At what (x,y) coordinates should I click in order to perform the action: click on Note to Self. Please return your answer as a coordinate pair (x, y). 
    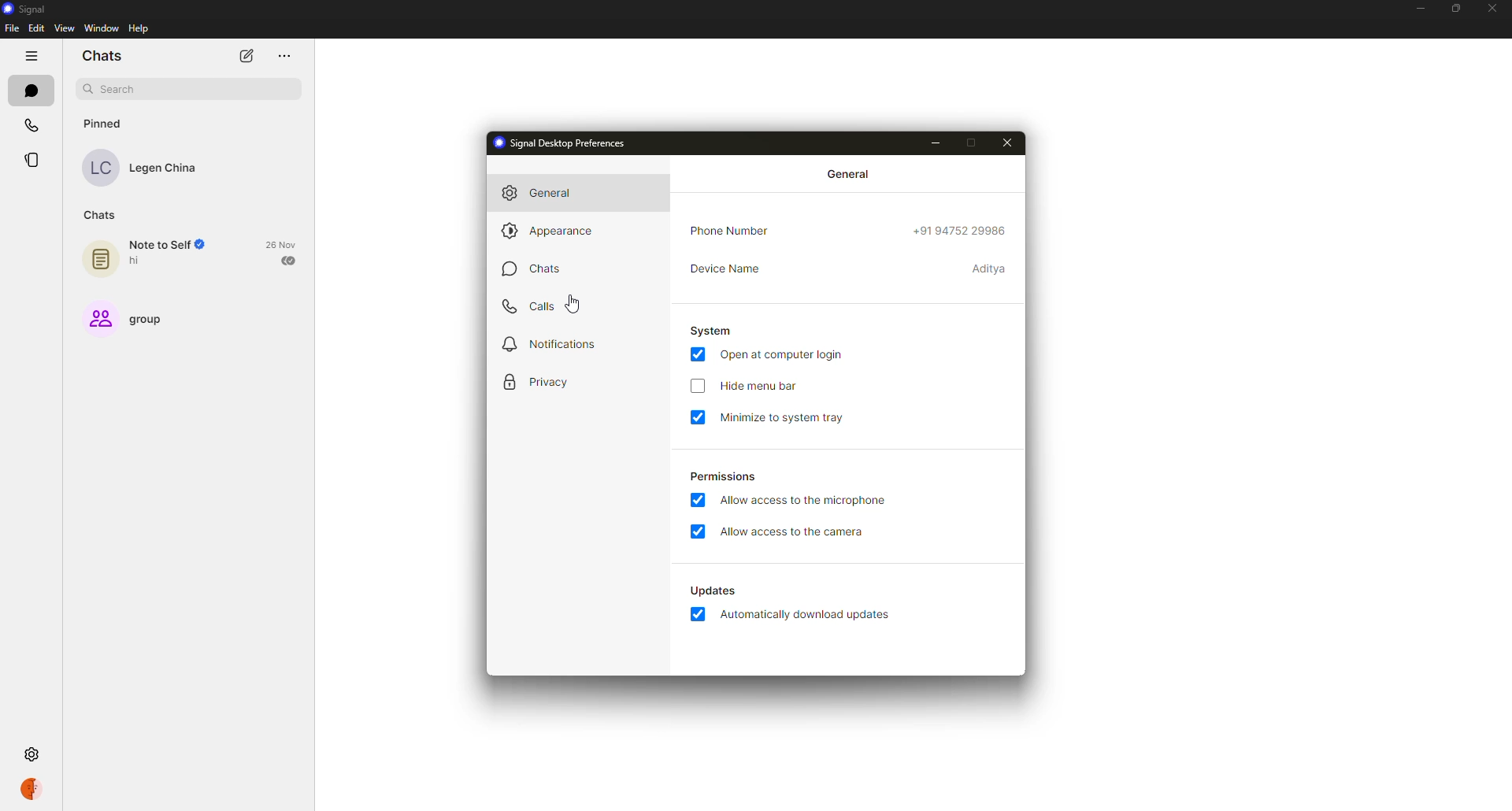
    Looking at the image, I should click on (158, 245).